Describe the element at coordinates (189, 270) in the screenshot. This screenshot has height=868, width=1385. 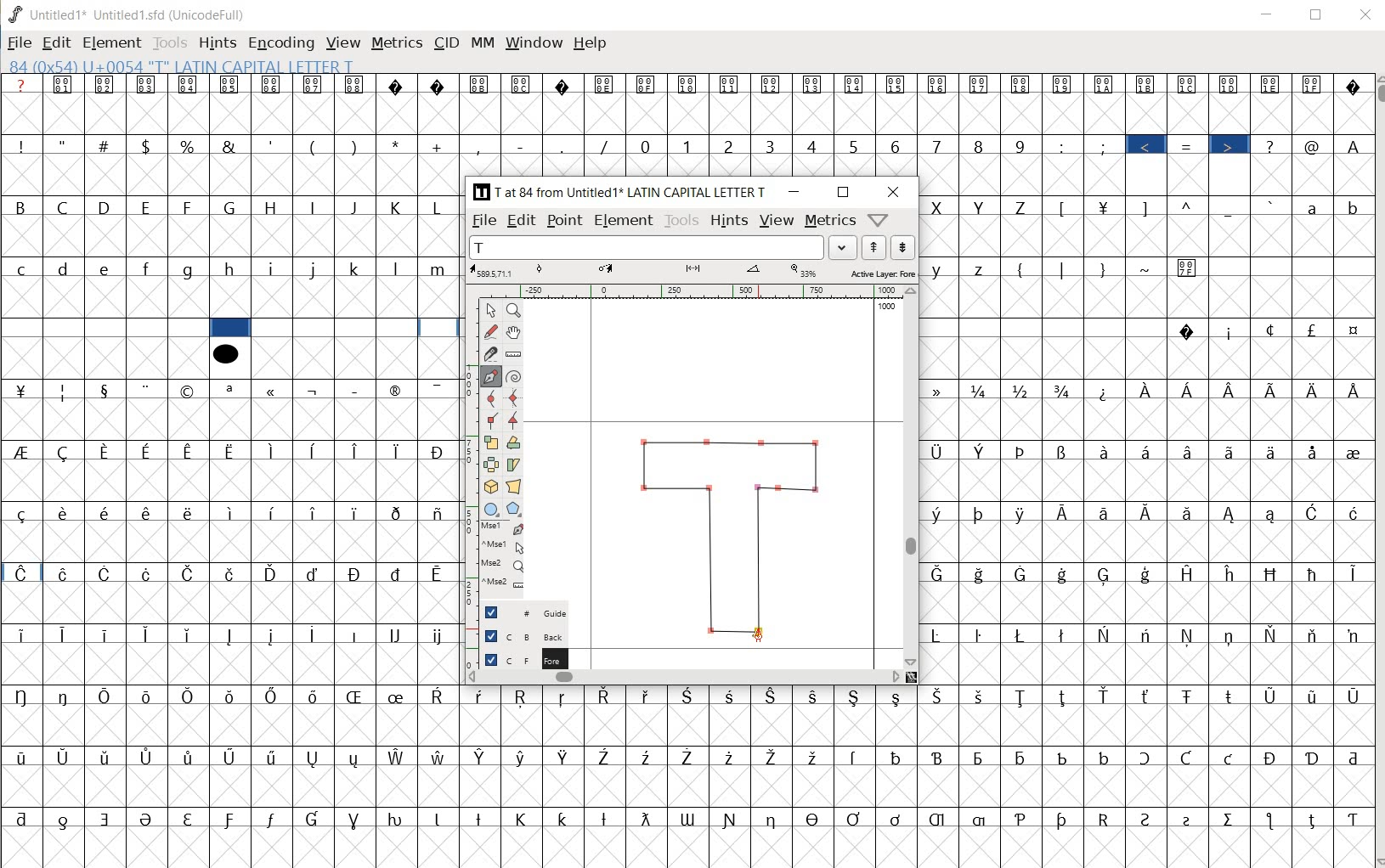
I see `g` at that location.